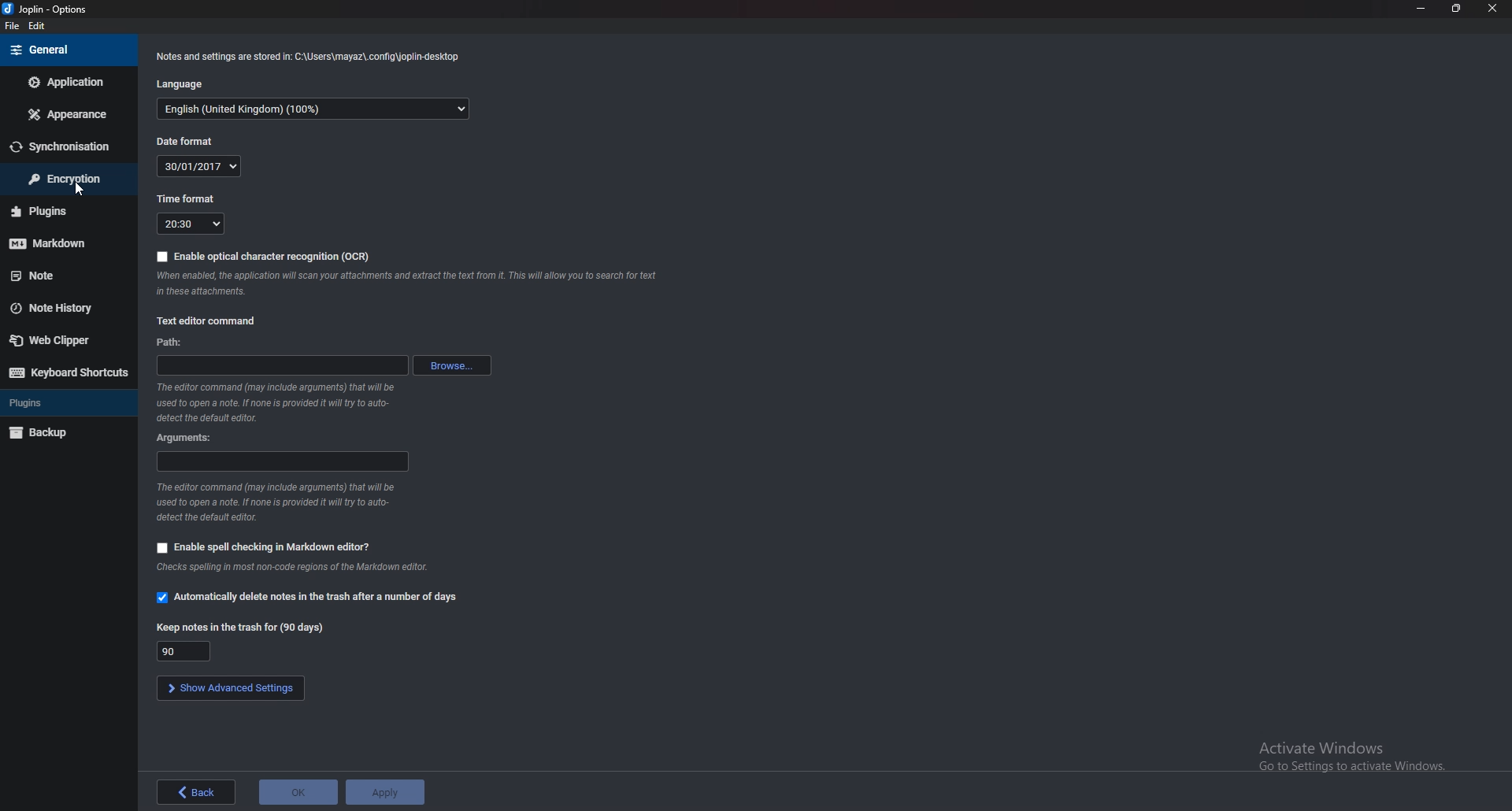  I want to click on browse, so click(454, 367).